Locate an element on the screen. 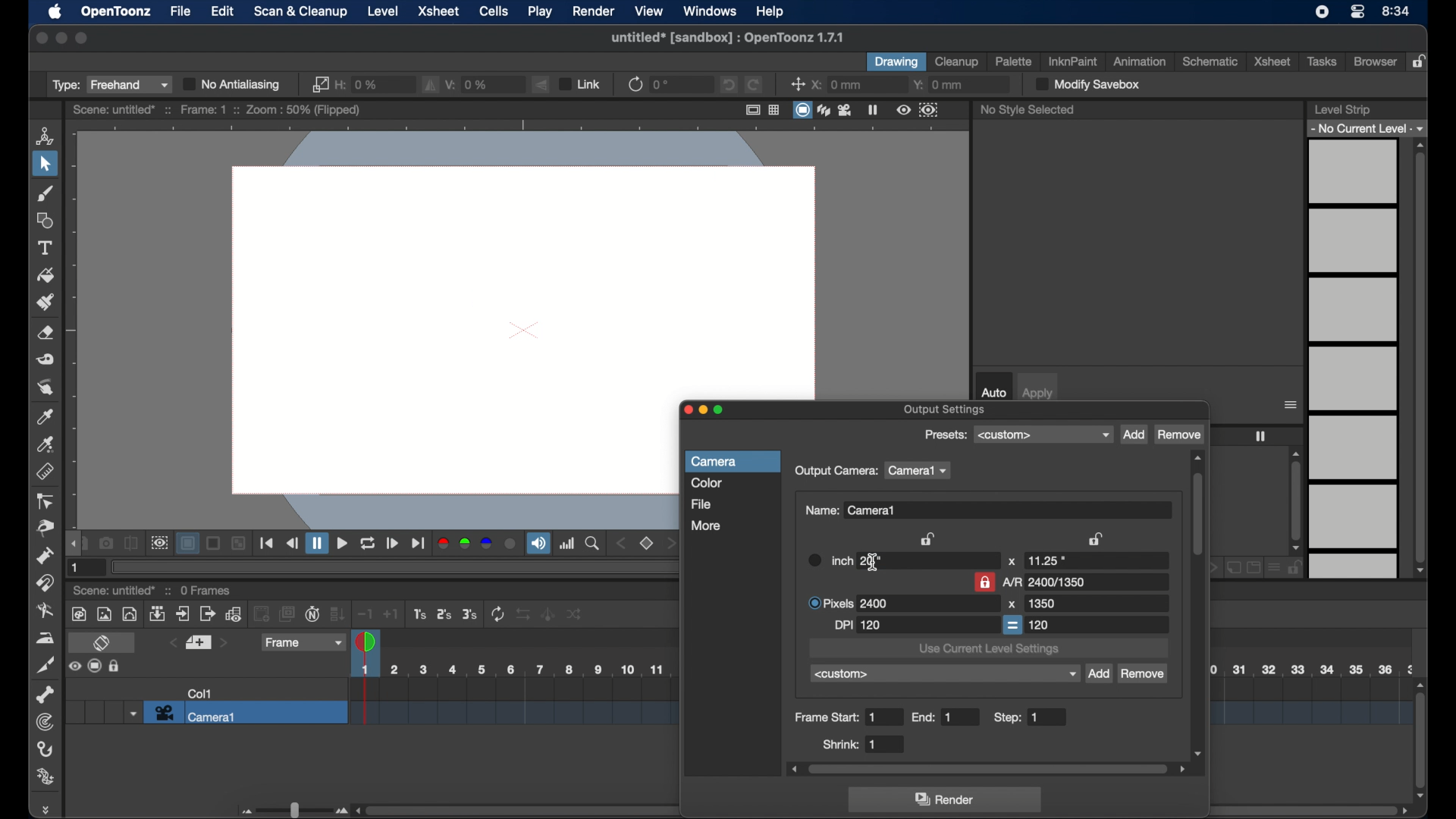 Image resolution: width=1456 pixels, height=819 pixels. 11.25 is located at coordinates (1046, 560).